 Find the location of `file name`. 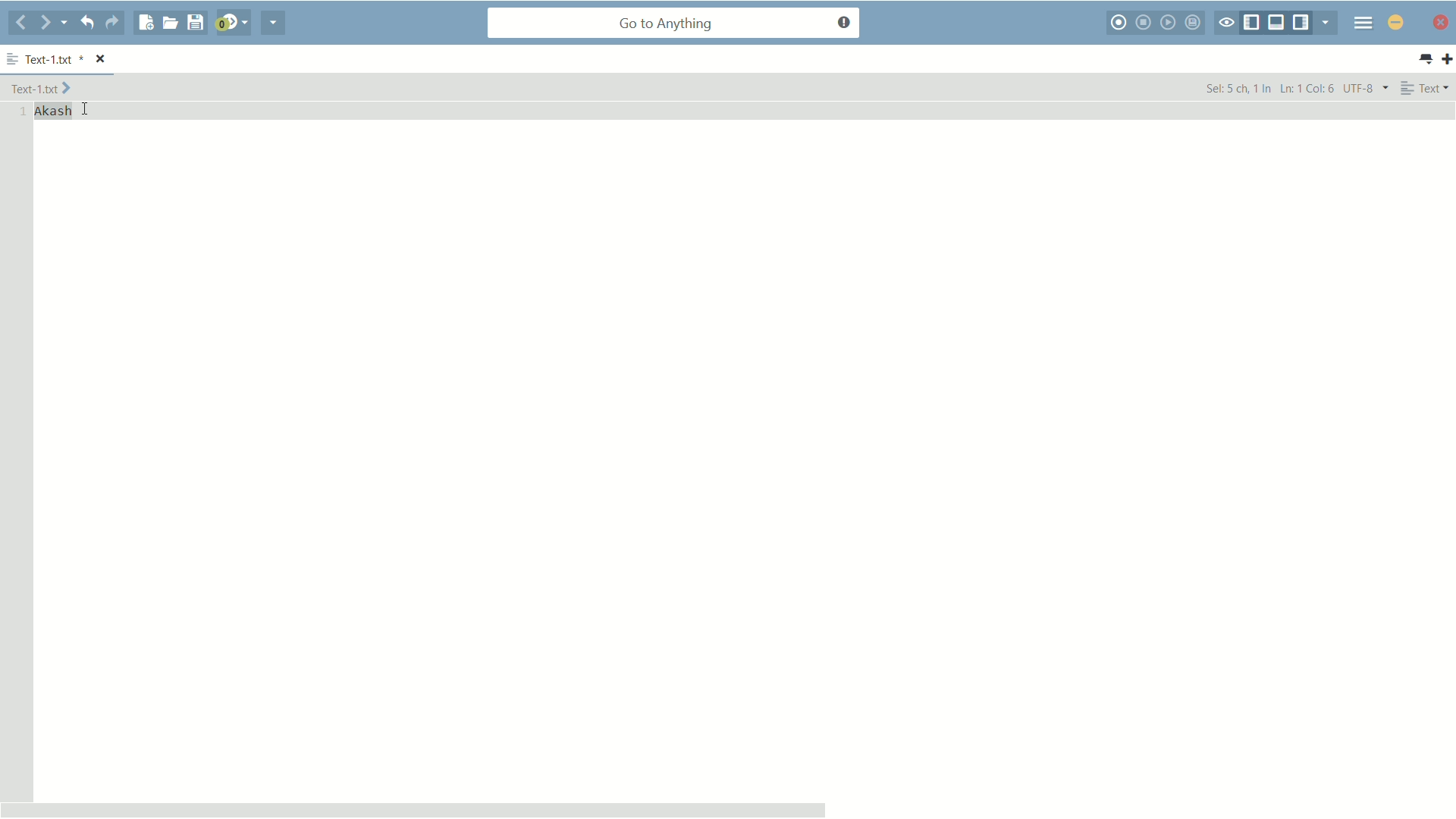

file name is located at coordinates (52, 61).